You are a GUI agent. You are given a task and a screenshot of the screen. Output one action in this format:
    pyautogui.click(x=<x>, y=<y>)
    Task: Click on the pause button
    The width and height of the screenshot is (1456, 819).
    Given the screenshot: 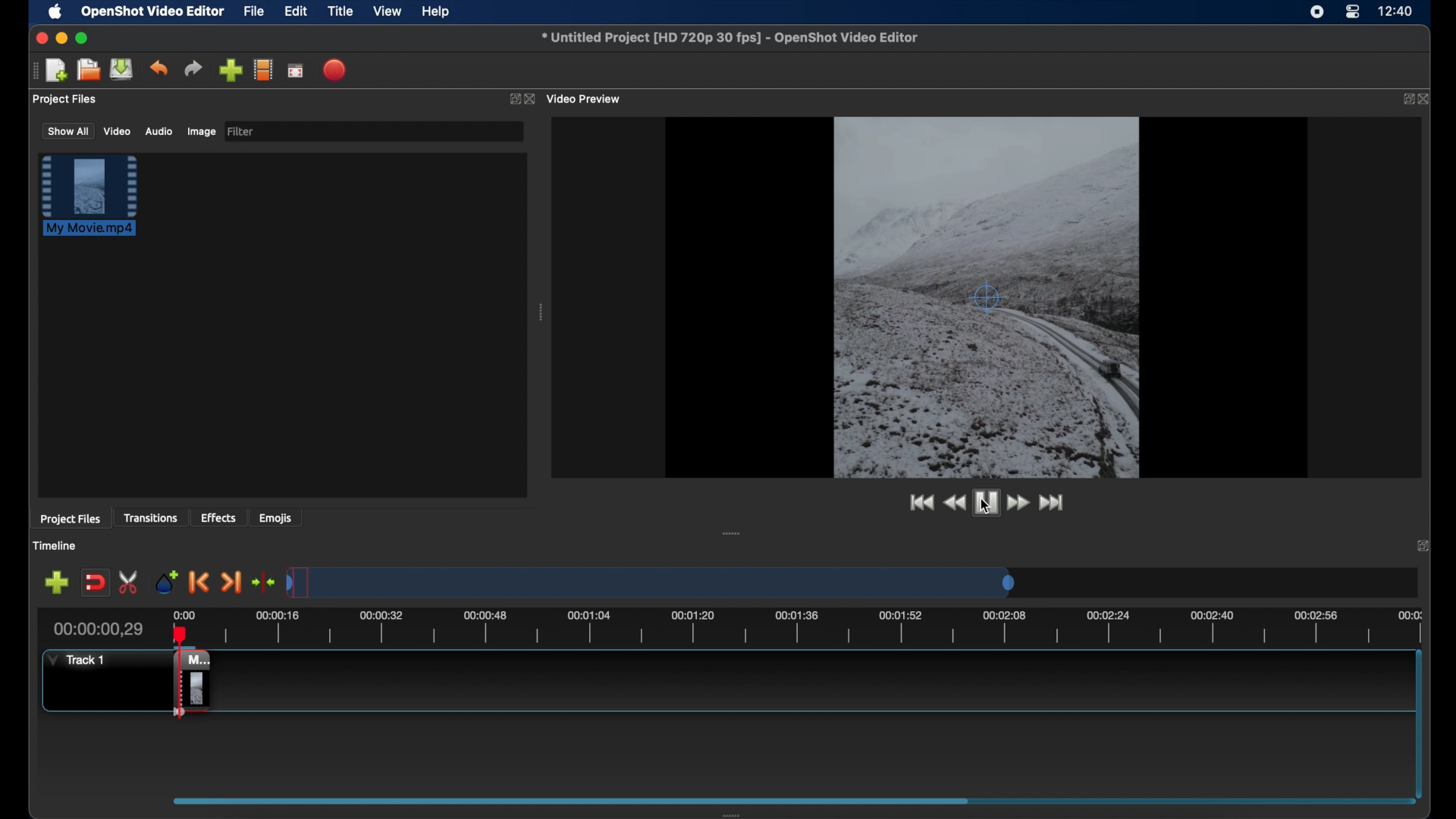 What is the action you would take?
    pyautogui.click(x=983, y=503)
    